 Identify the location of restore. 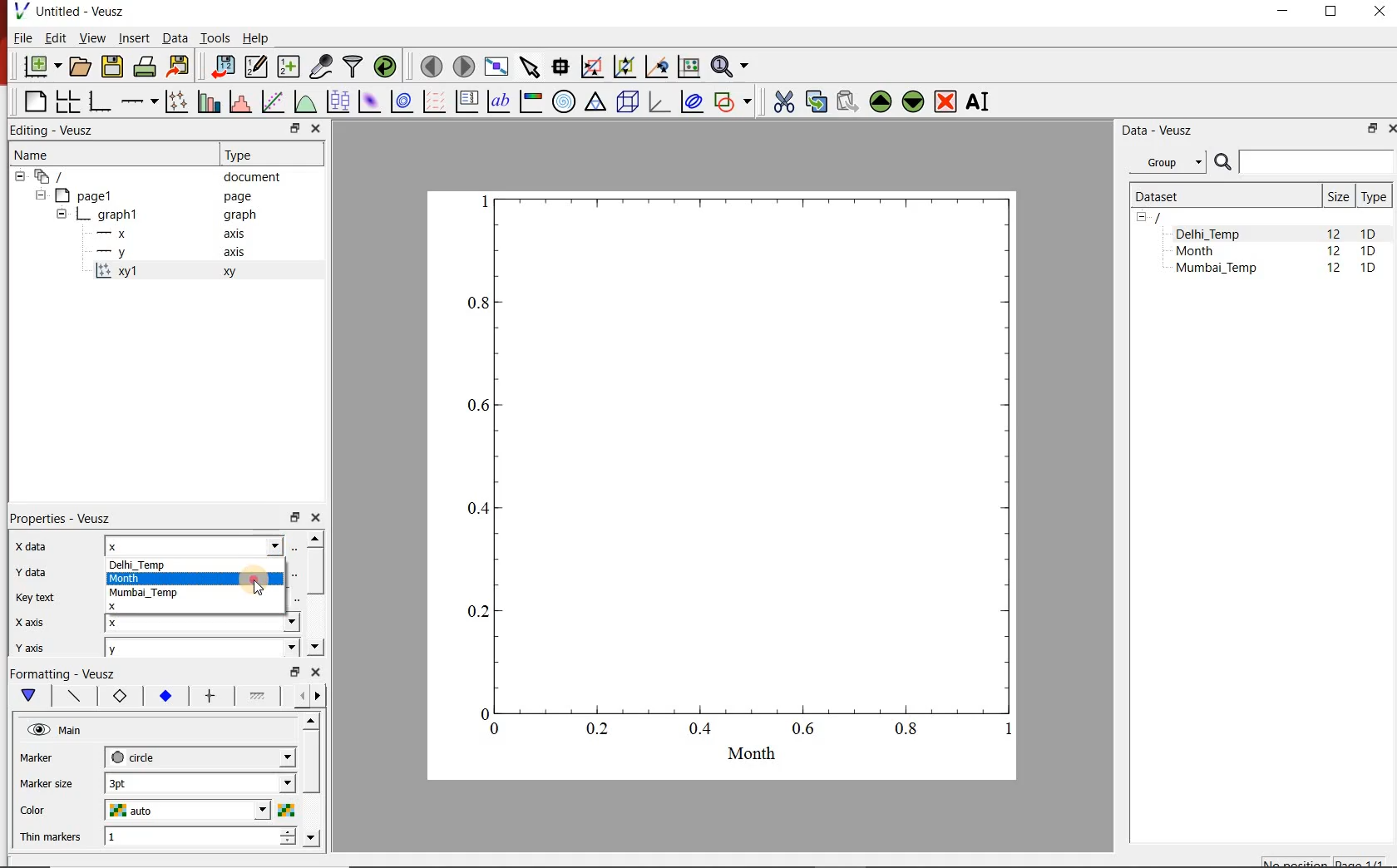
(297, 671).